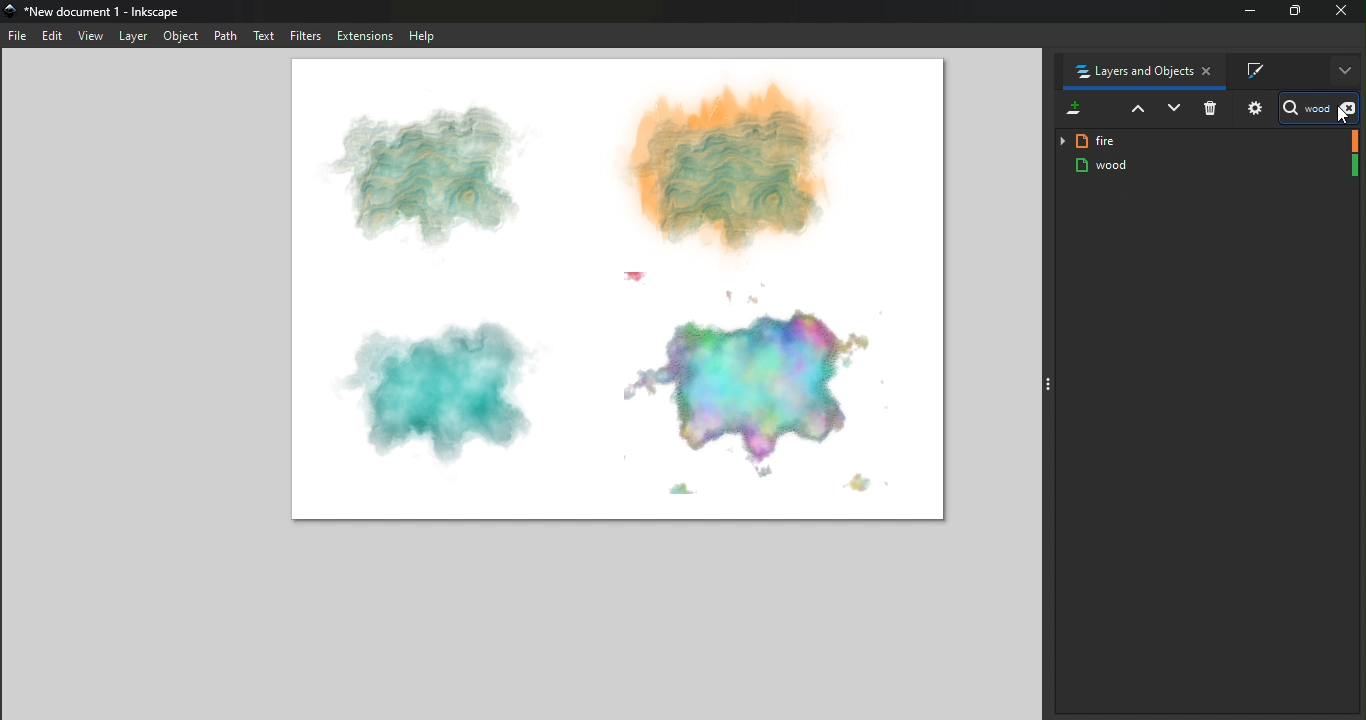 This screenshot has width=1366, height=720. What do you see at coordinates (1072, 110) in the screenshot?
I see `Add a new layer` at bounding box center [1072, 110].